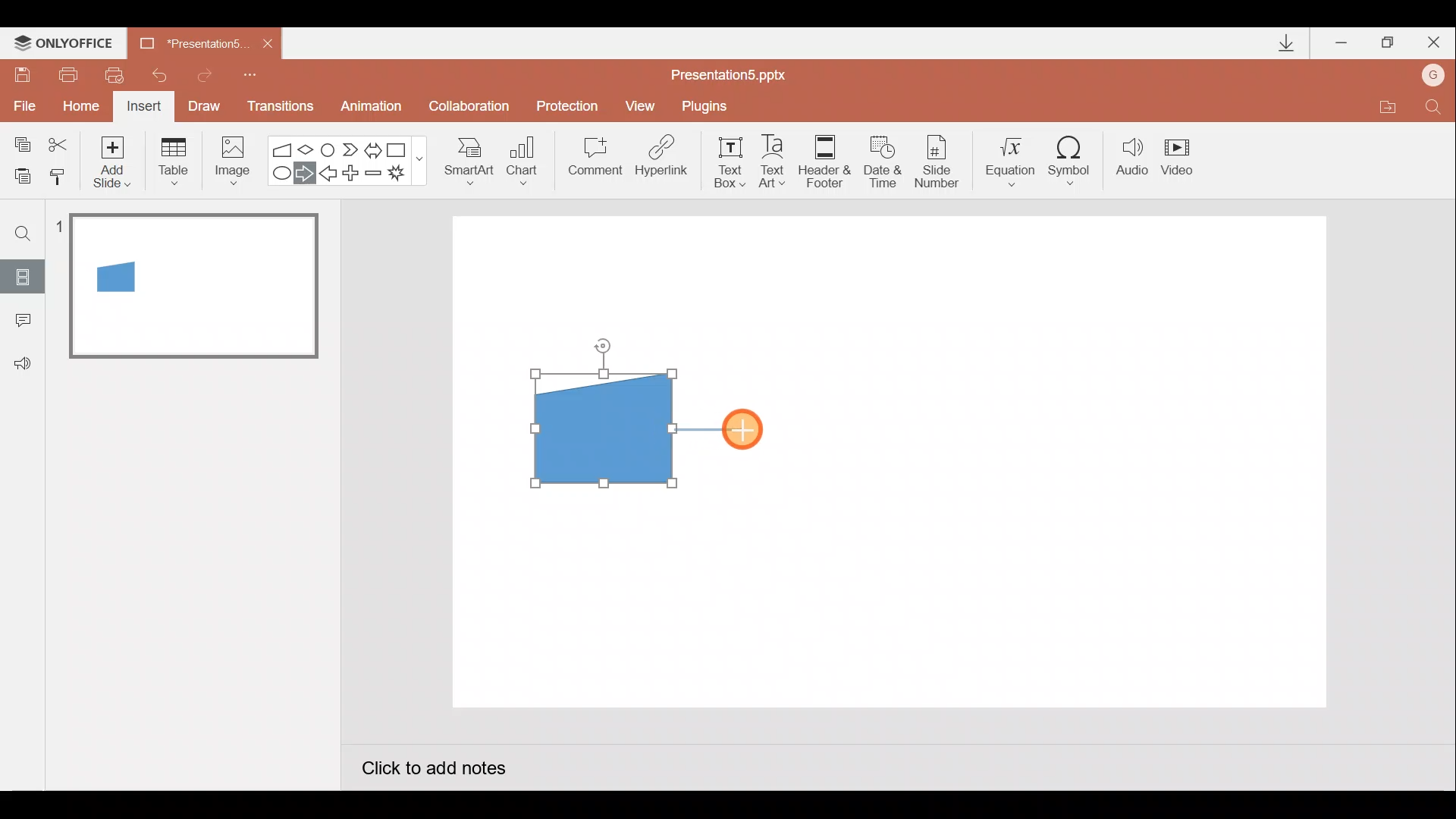  Describe the element at coordinates (21, 102) in the screenshot. I see `File` at that location.